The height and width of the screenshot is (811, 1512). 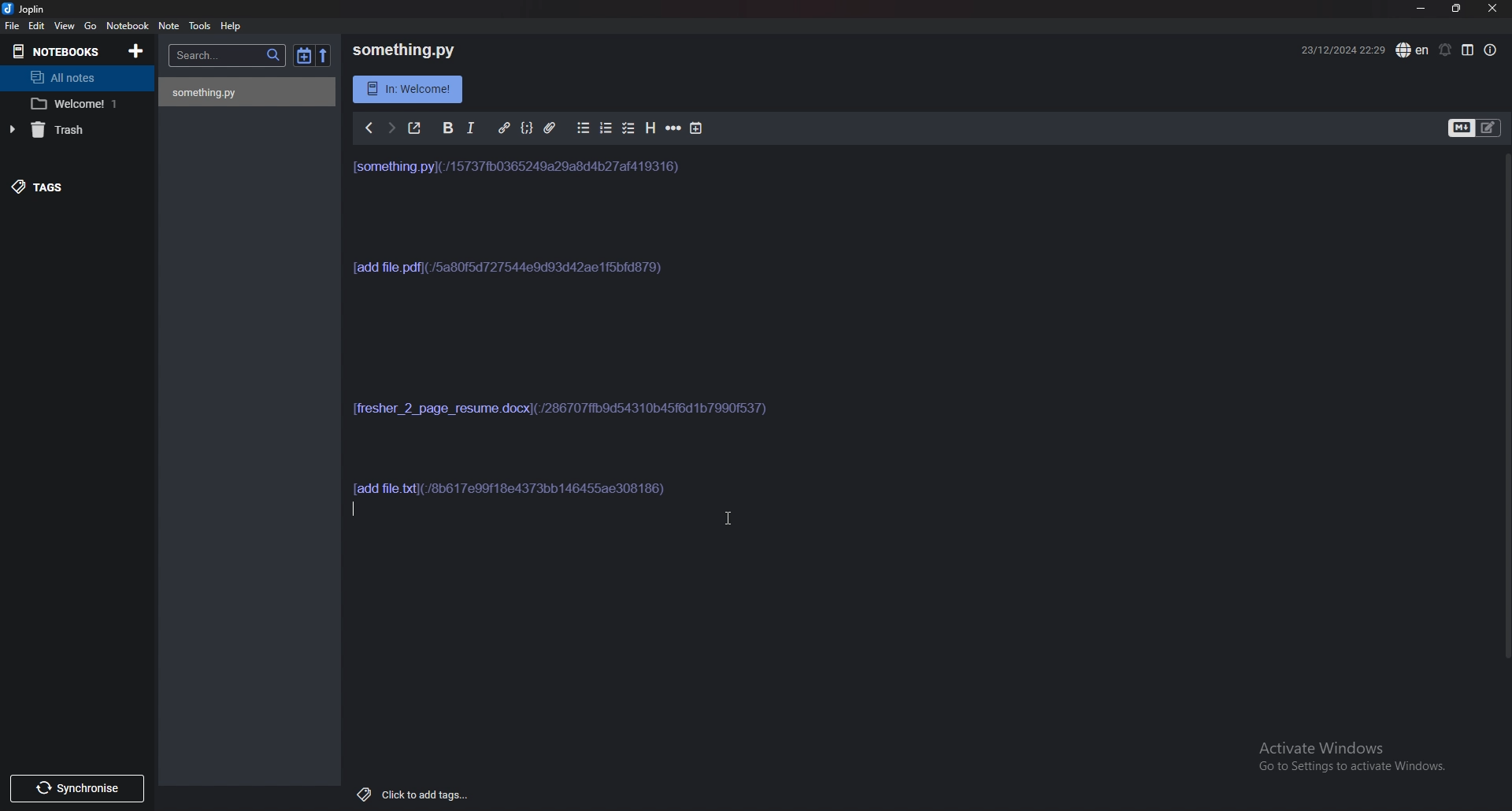 I want to click on Horizontal rule, so click(x=672, y=128).